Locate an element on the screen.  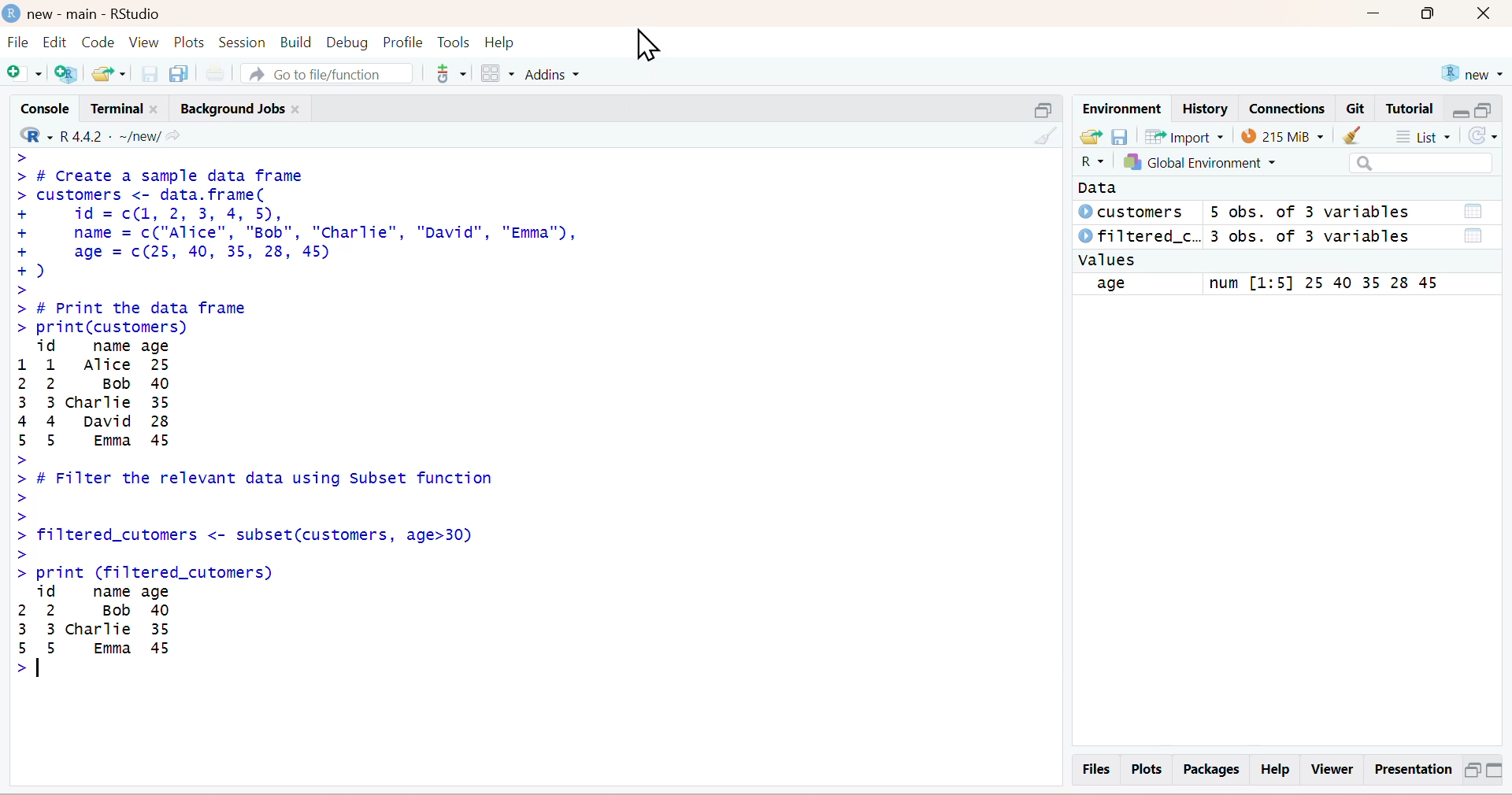
age num [1:5] 25 40 35 28 45 is located at coordinates (1274, 284).